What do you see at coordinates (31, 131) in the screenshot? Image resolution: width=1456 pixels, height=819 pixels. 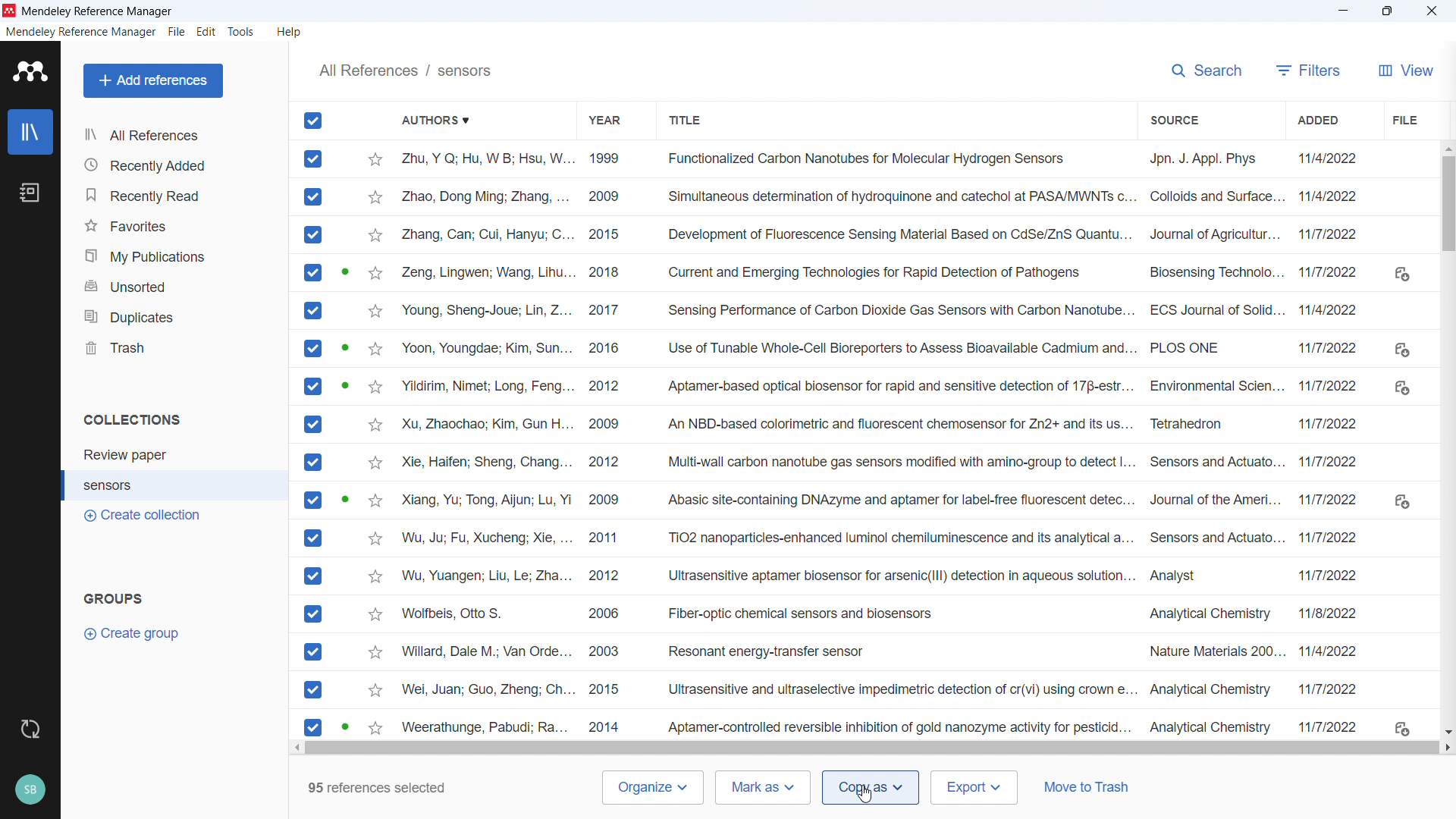 I see `library` at bounding box center [31, 131].